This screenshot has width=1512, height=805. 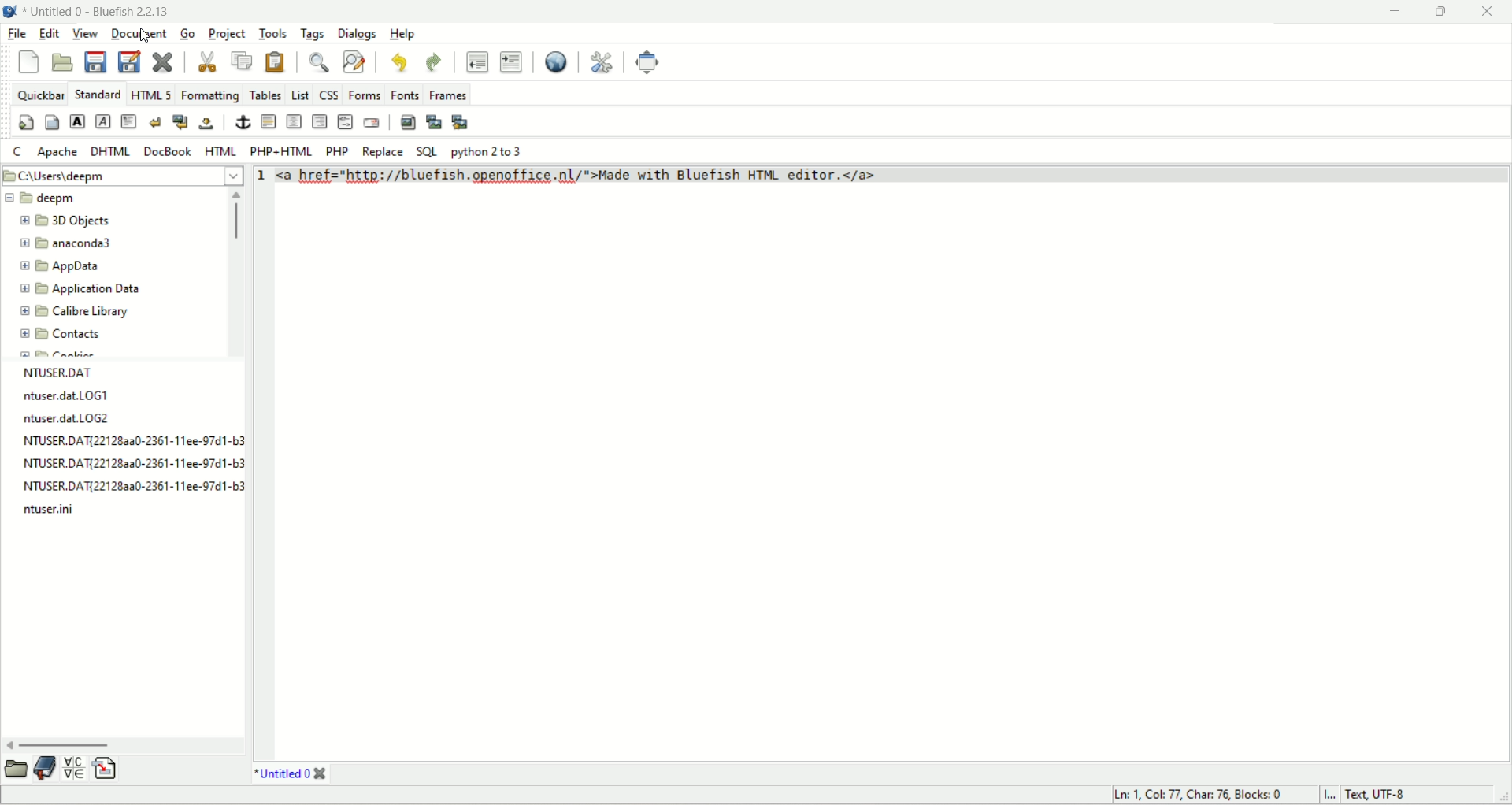 I want to click on text, UTF-8, so click(x=1387, y=796).